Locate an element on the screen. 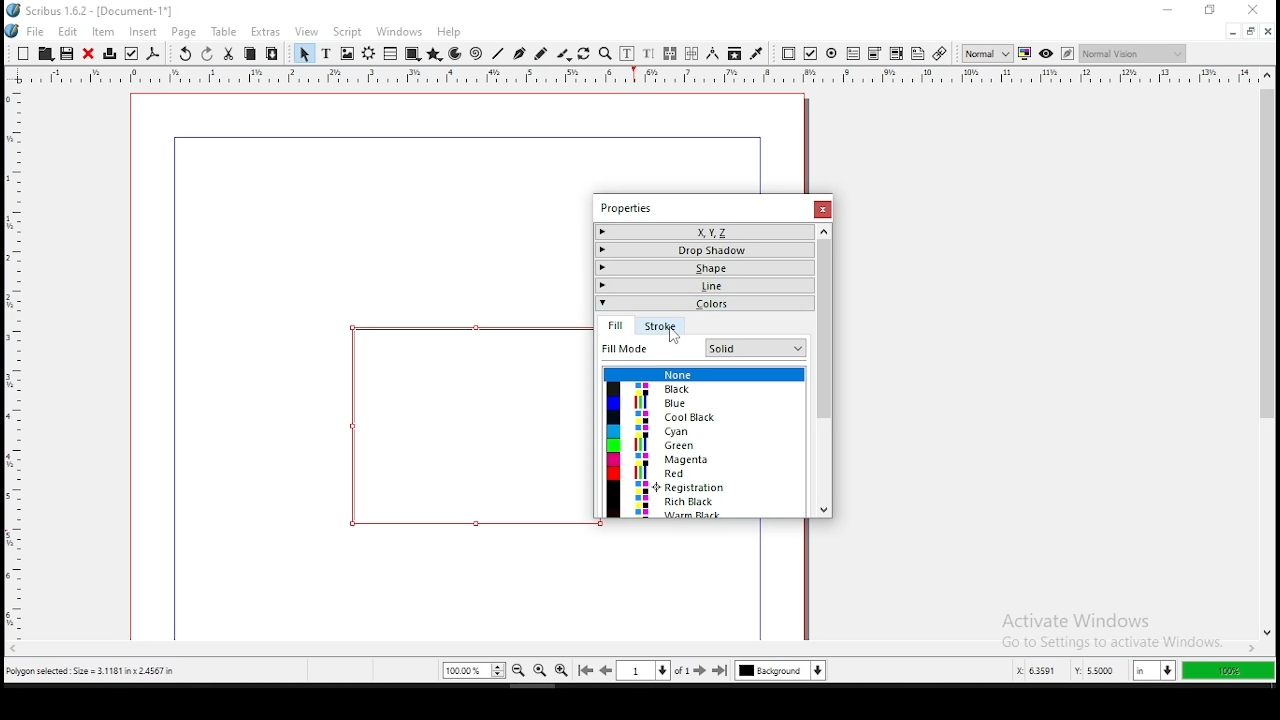  save as pdf is located at coordinates (153, 54).